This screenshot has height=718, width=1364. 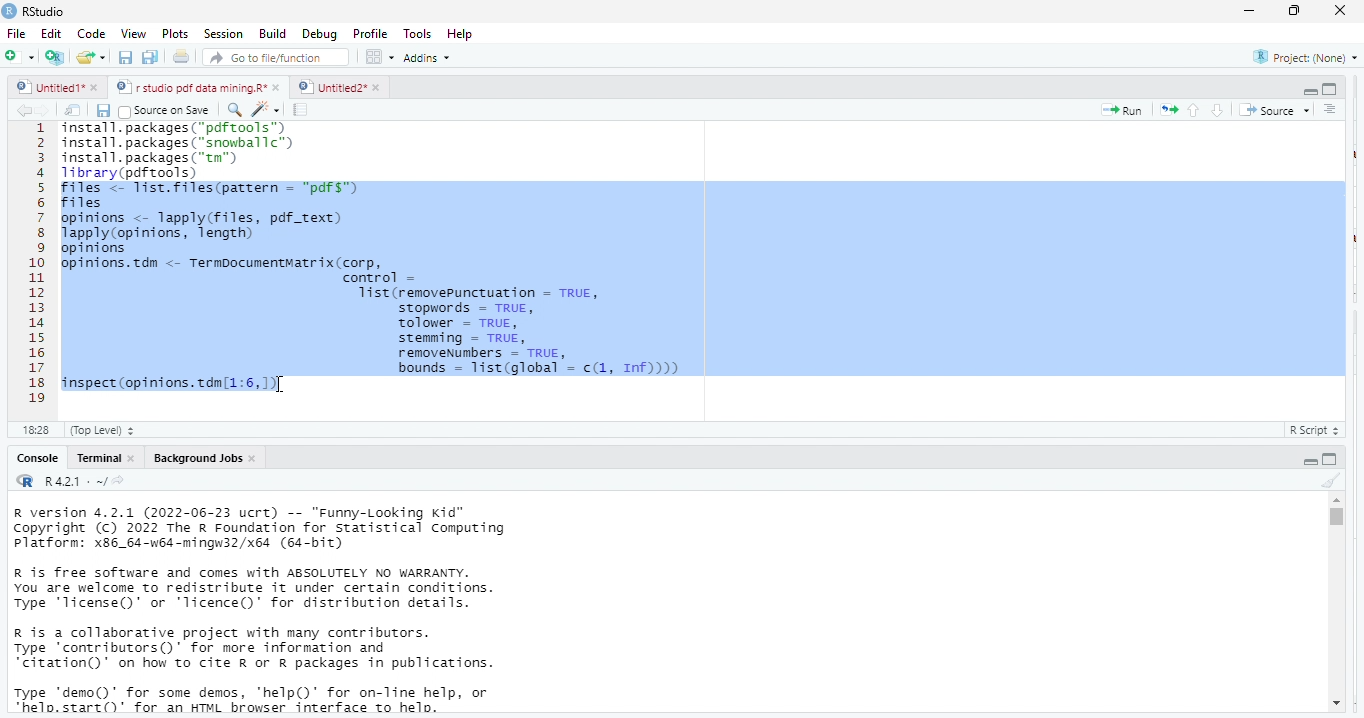 What do you see at coordinates (193, 458) in the screenshot?
I see `background jobs` at bounding box center [193, 458].